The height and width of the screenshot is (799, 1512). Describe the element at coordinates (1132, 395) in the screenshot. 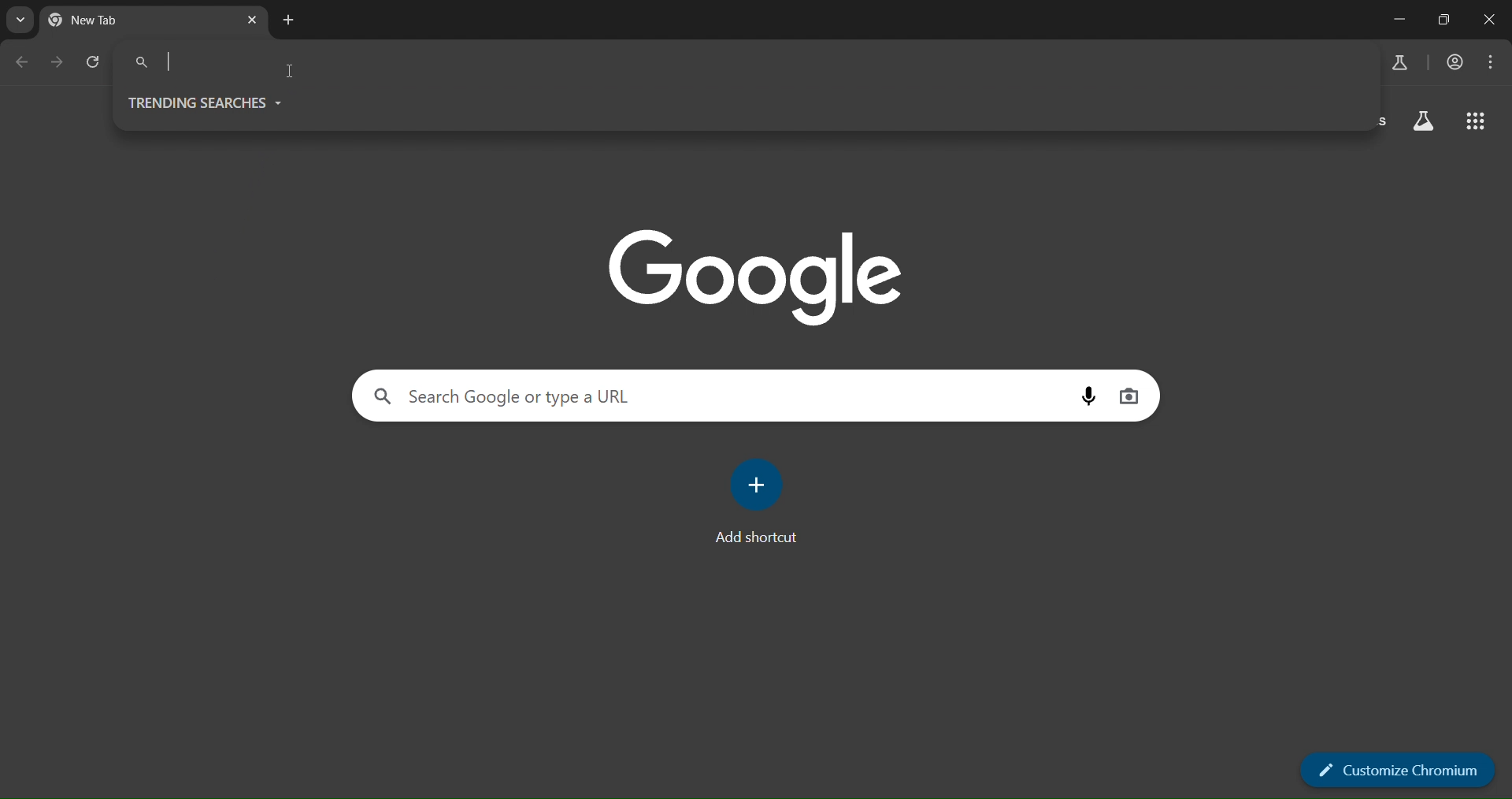

I see `image search` at that location.